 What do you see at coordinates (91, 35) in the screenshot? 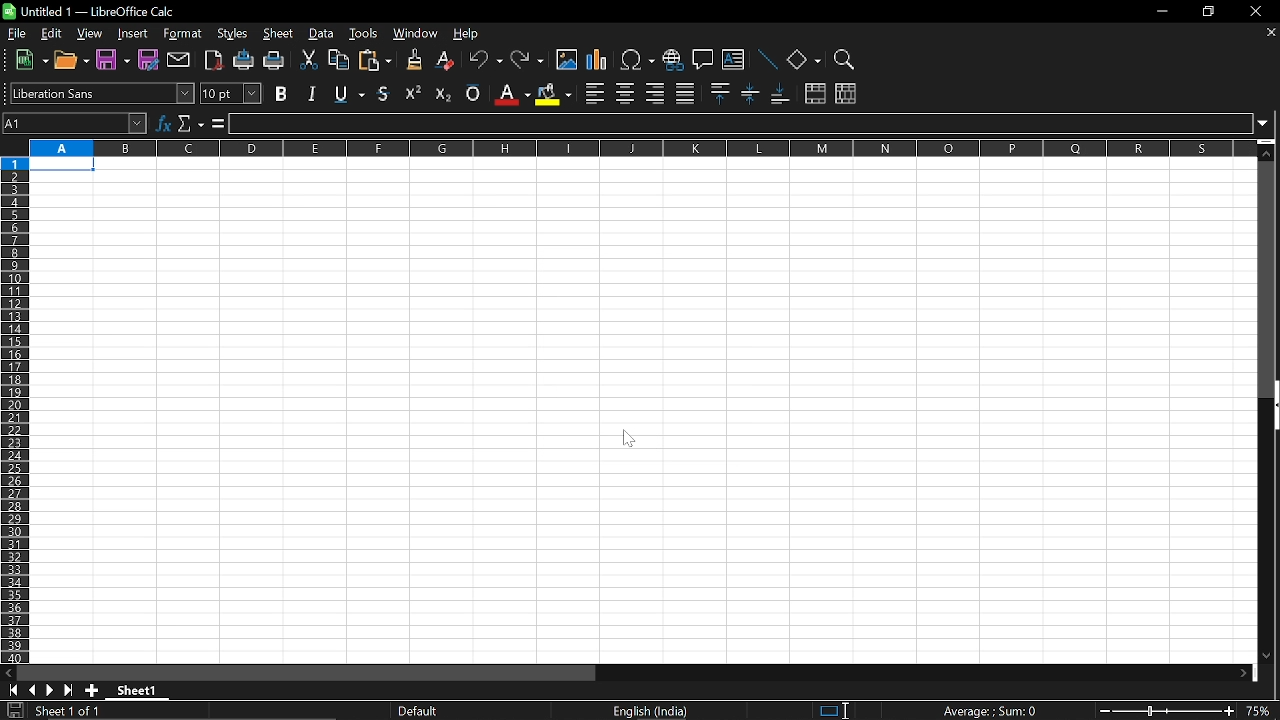
I see `view` at bounding box center [91, 35].